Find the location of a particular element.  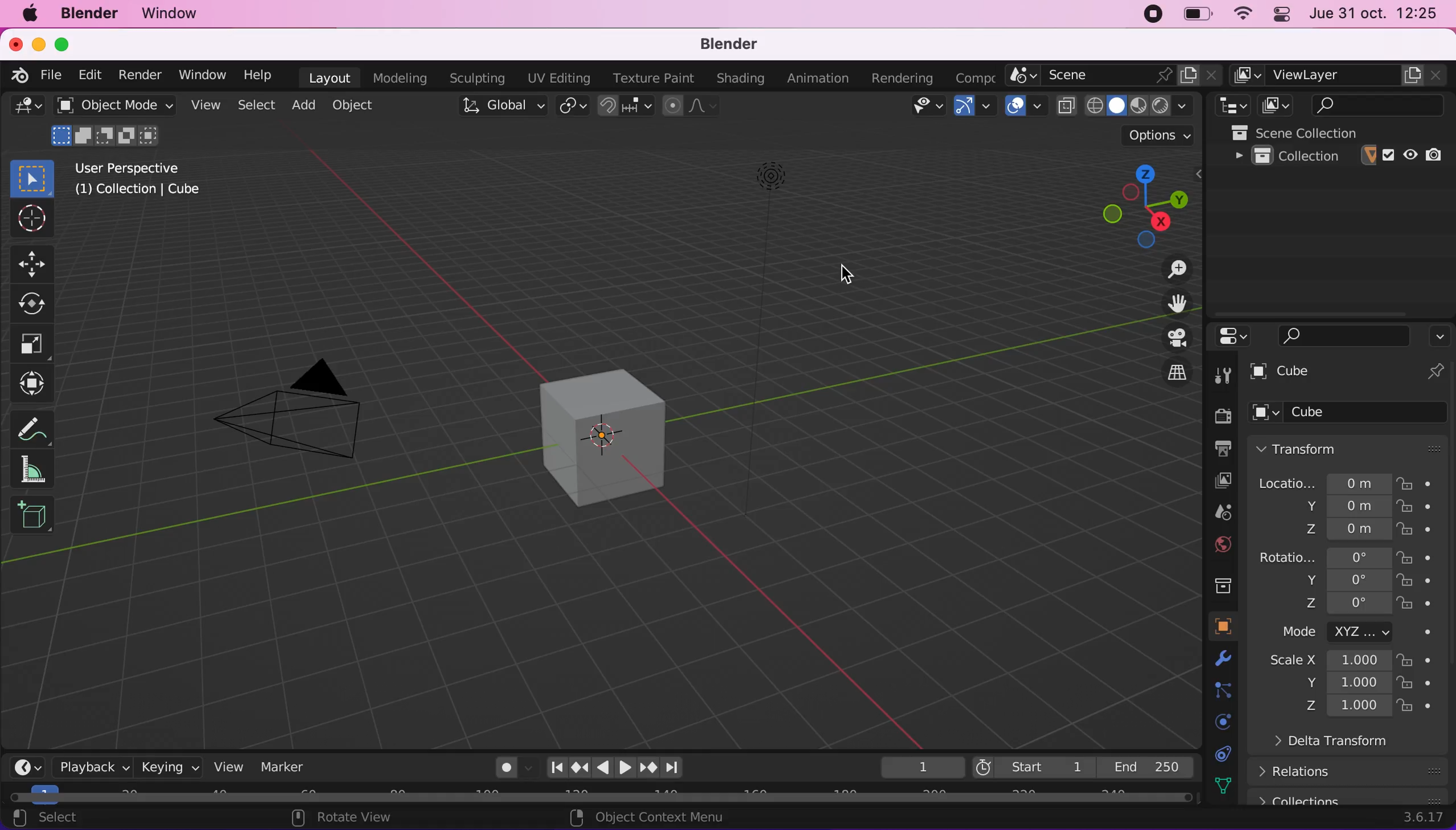

y 0m is located at coordinates (1337, 507).